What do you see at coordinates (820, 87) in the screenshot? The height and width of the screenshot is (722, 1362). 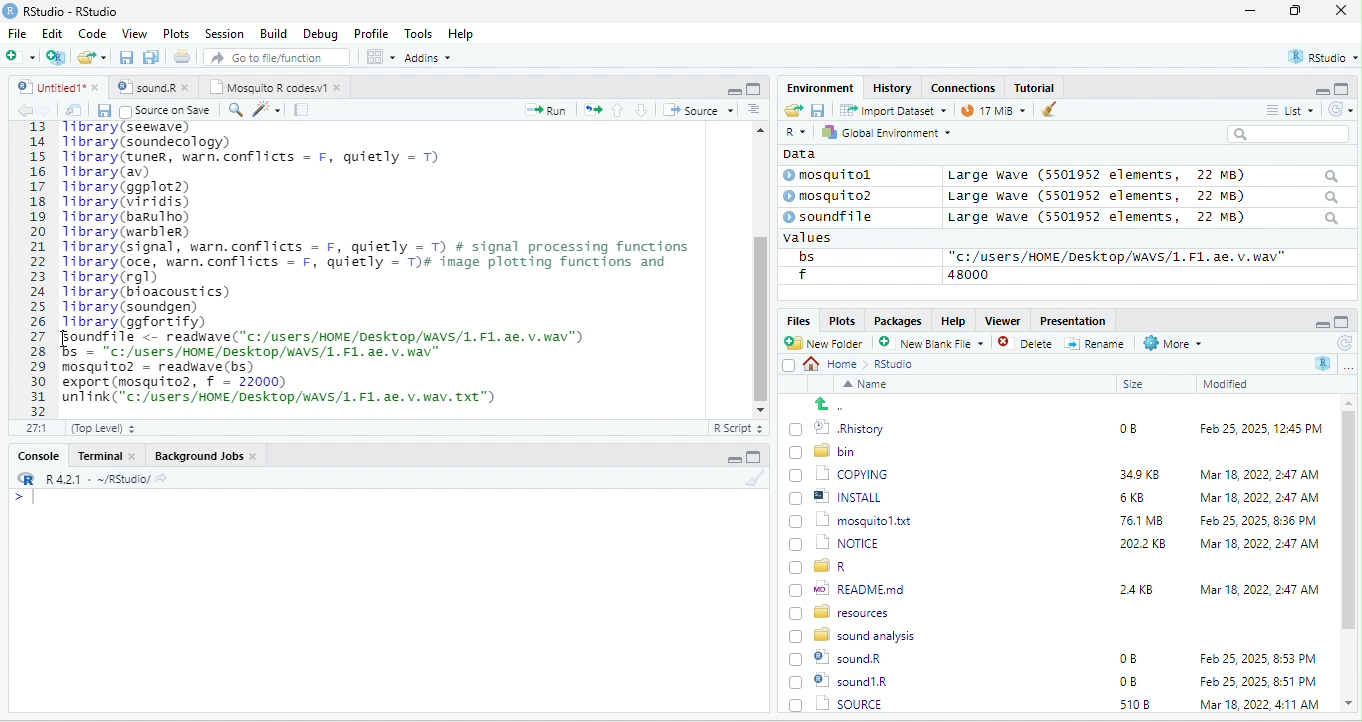 I see `Environment` at bounding box center [820, 87].